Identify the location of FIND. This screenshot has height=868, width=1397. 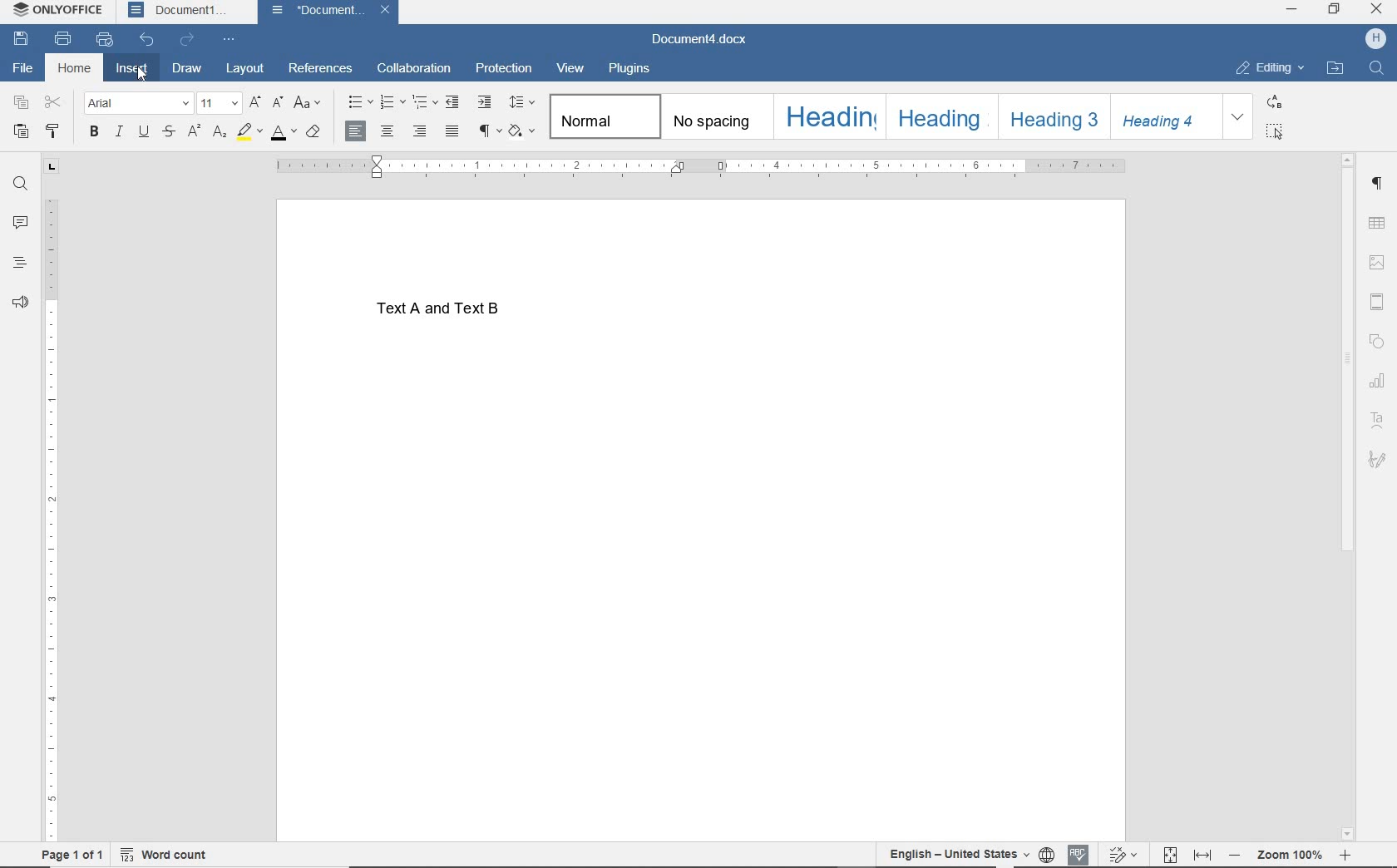
(18, 184).